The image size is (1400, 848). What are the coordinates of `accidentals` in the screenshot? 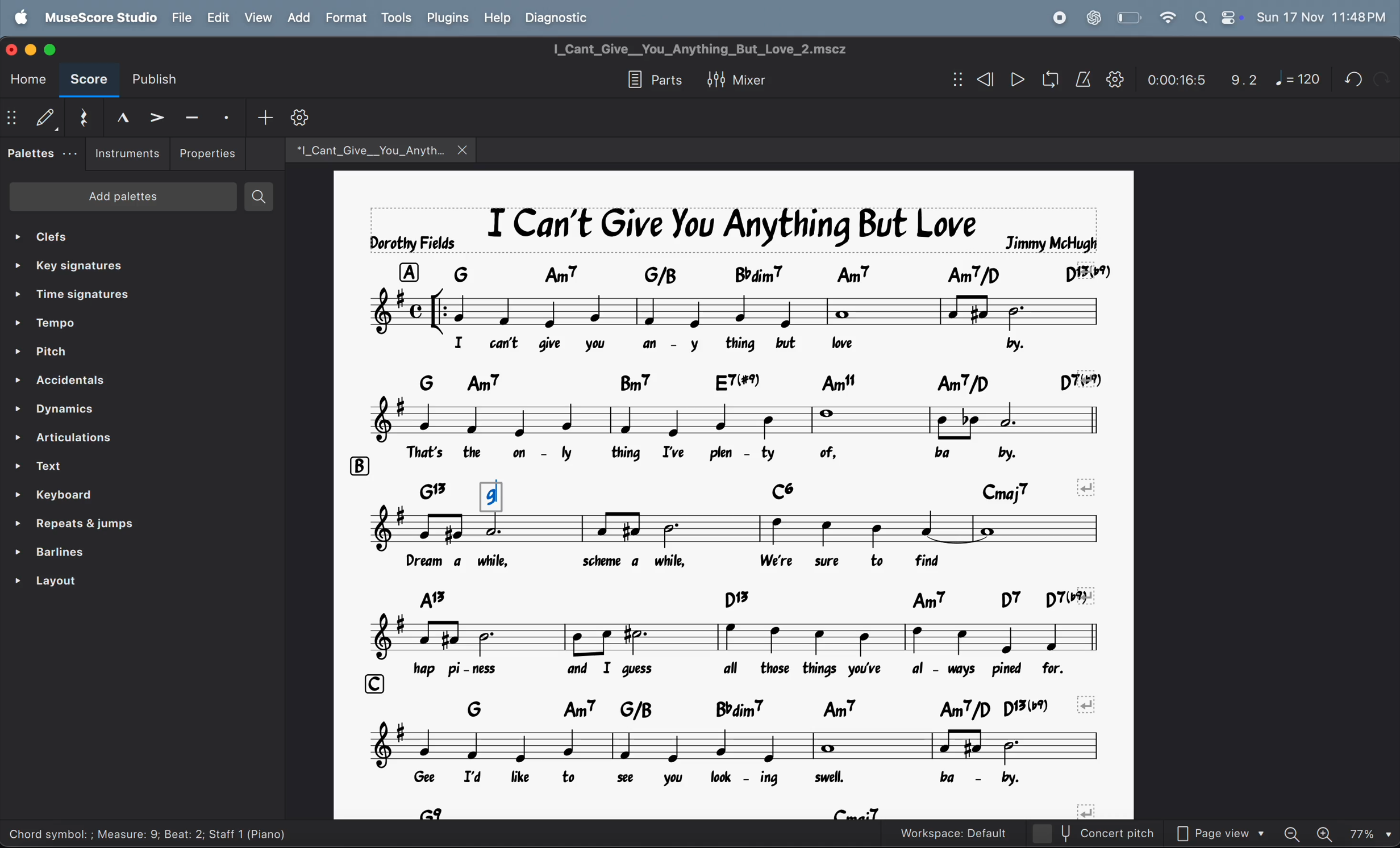 It's located at (126, 382).